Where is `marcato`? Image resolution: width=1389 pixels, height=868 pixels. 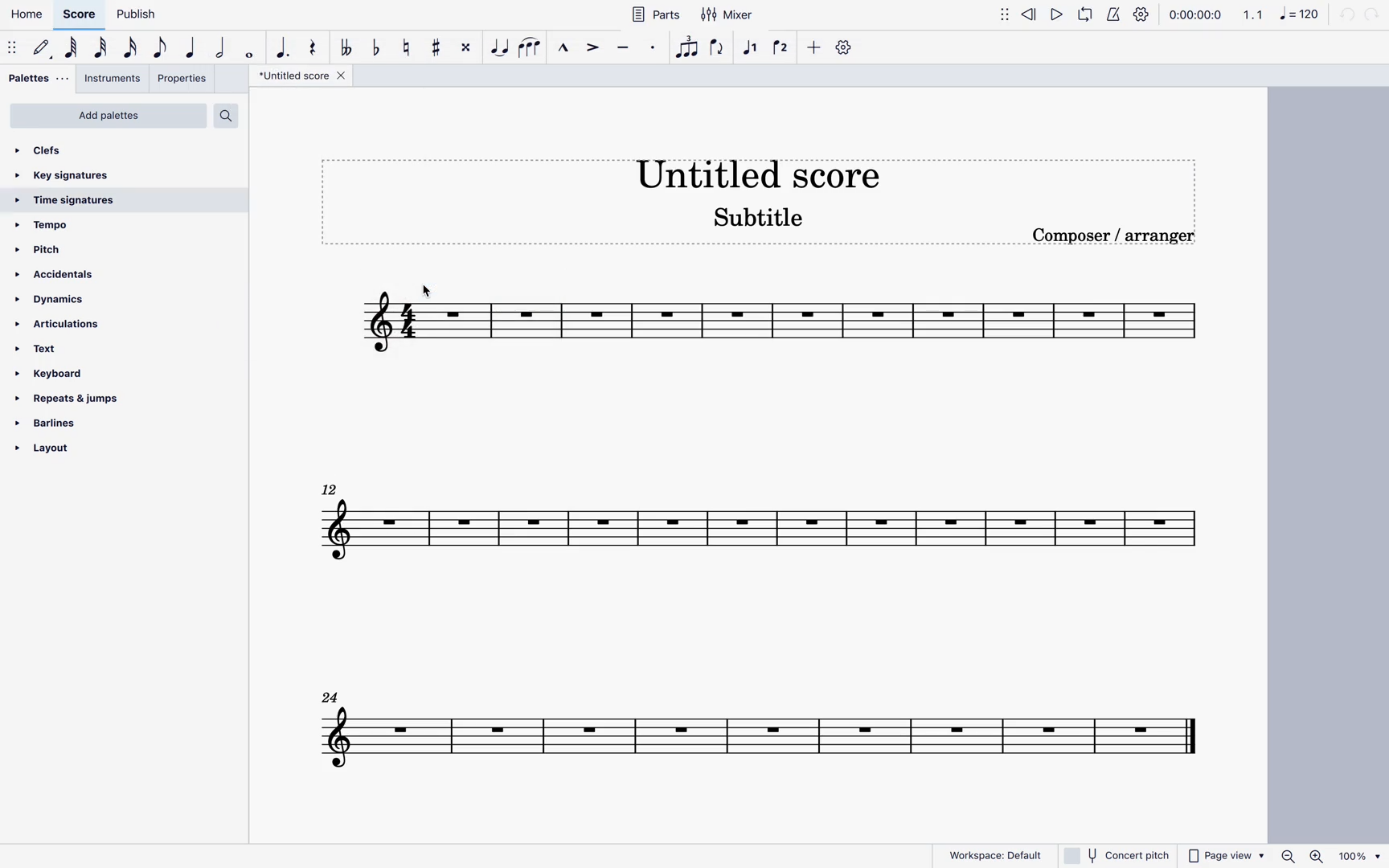 marcato is located at coordinates (561, 47).